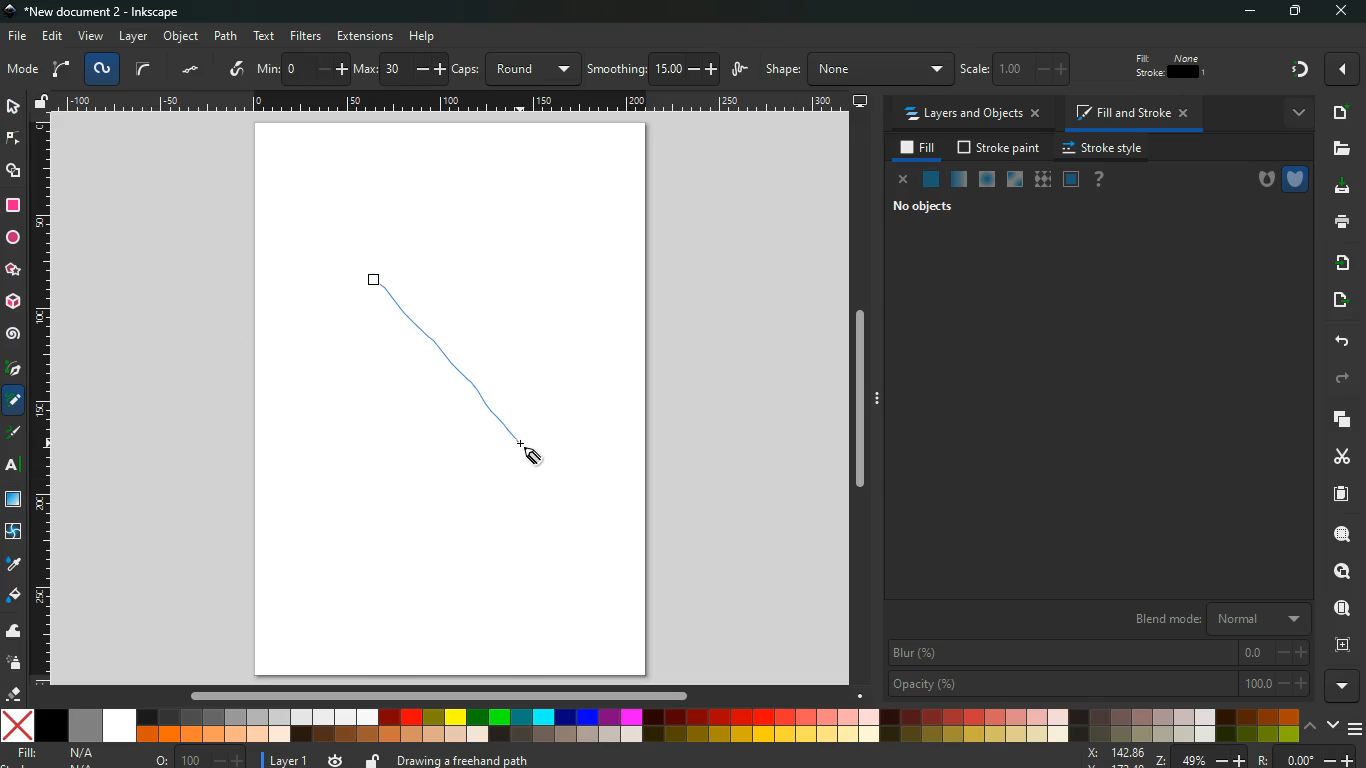  Describe the element at coordinates (106, 11) in the screenshot. I see `inkscape` at that location.